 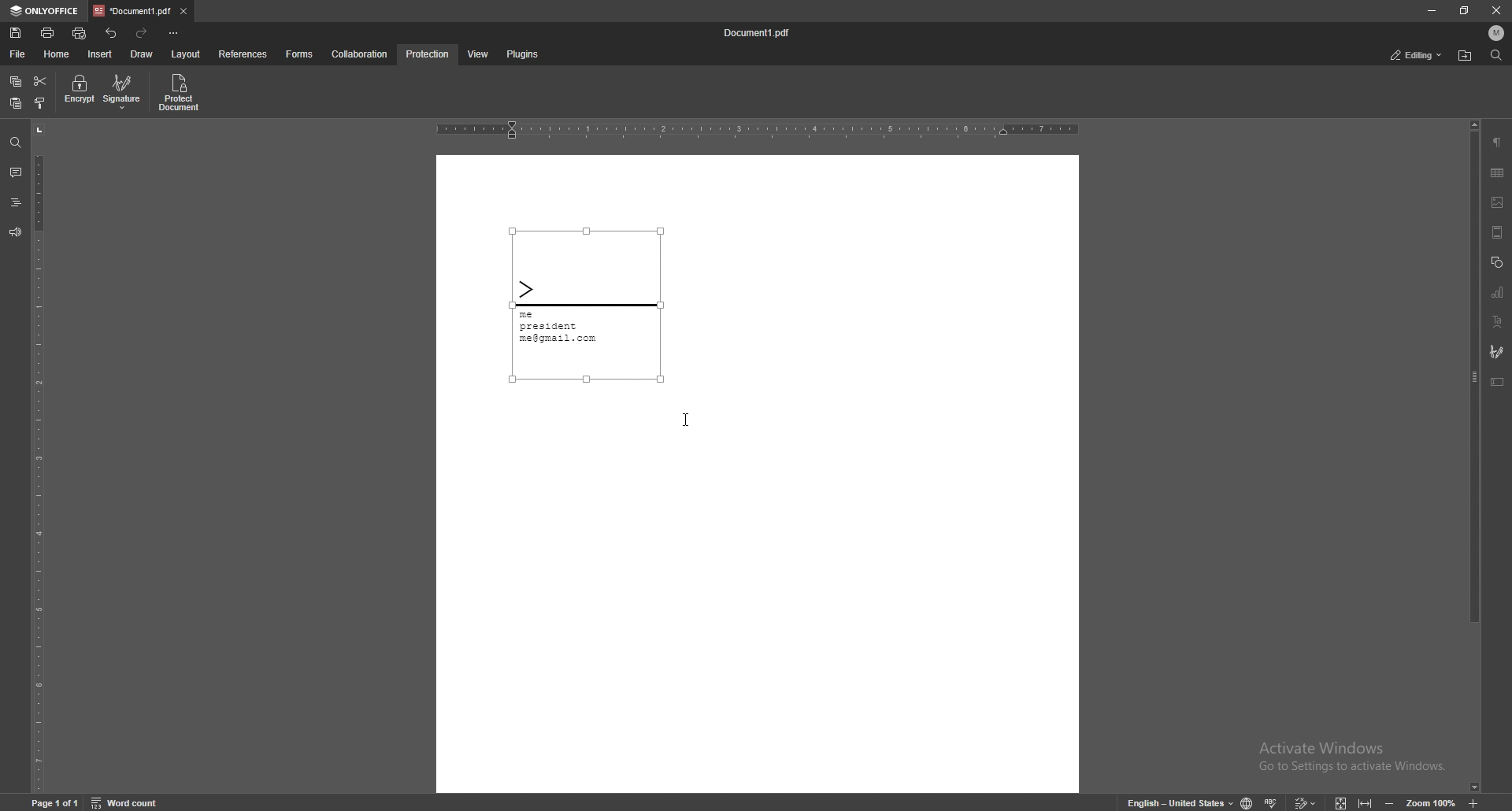 What do you see at coordinates (59, 54) in the screenshot?
I see `home` at bounding box center [59, 54].